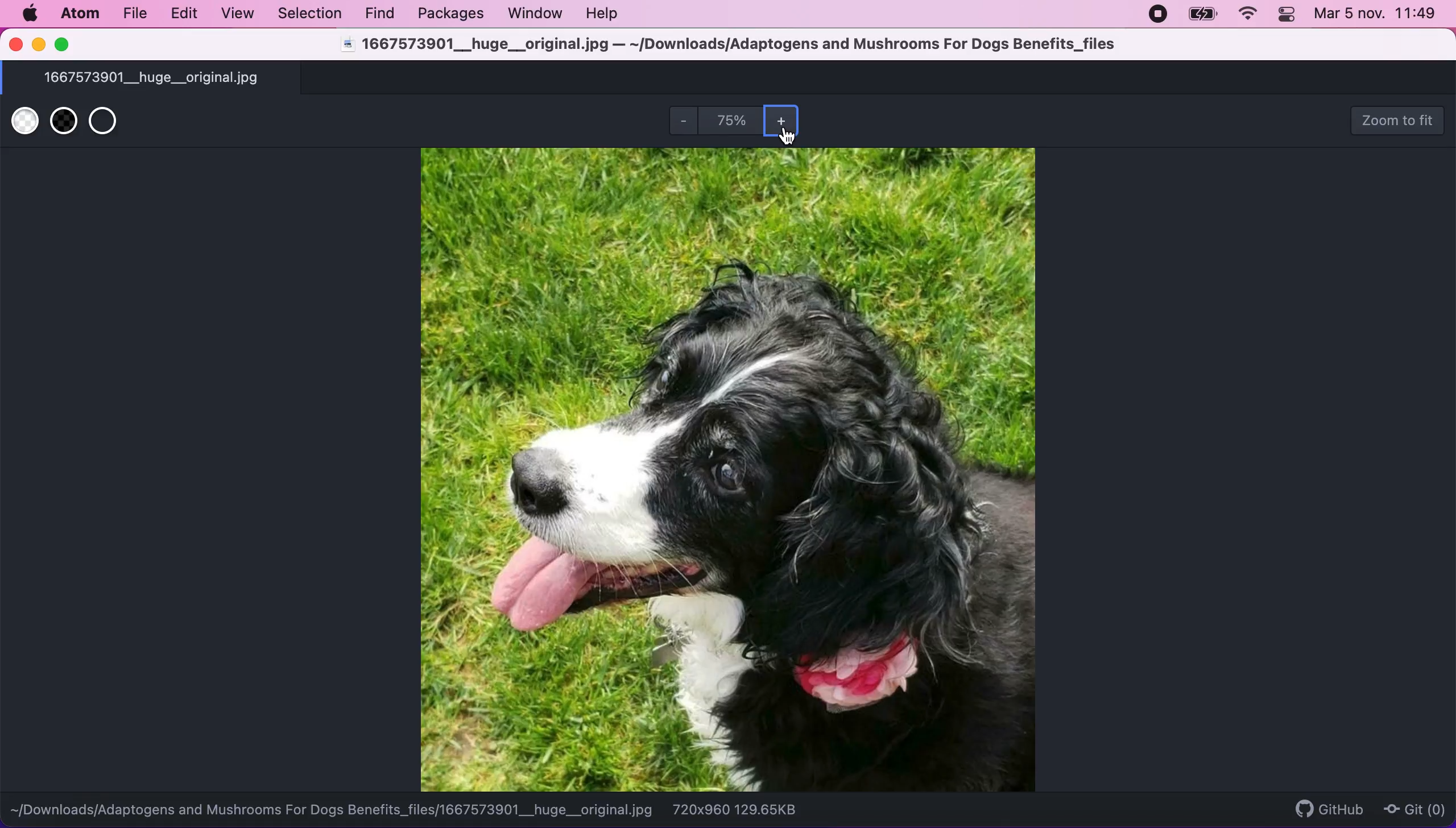  I want to click on cursor on zoom in, so click(790, 136).